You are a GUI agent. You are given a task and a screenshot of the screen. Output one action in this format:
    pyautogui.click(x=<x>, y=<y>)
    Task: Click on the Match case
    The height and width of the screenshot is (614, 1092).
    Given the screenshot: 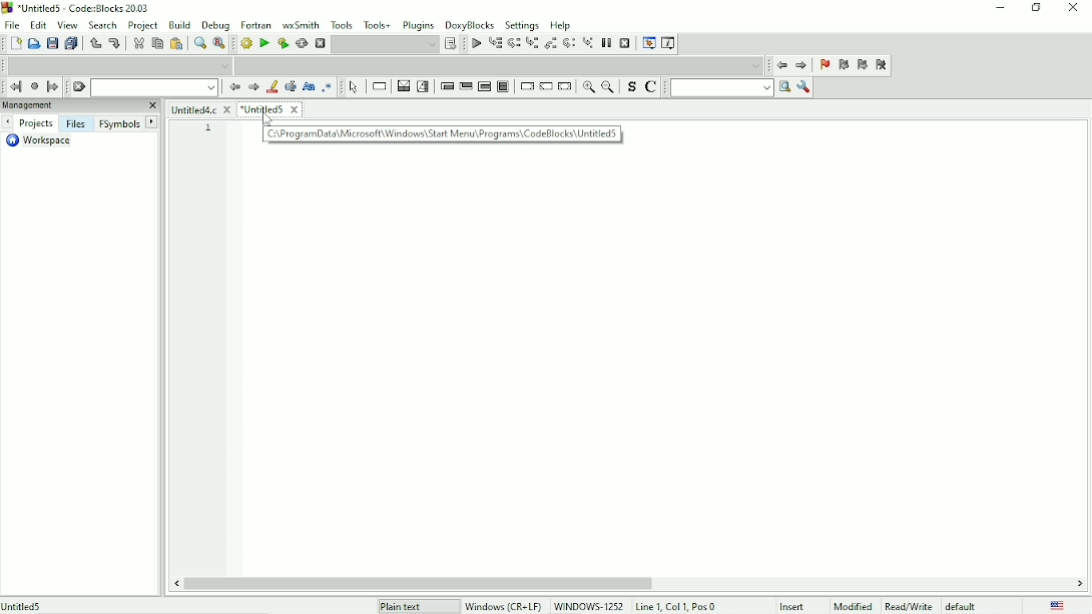 What is the action you would take?
    pyautogui.click(x=309, y=87)
    